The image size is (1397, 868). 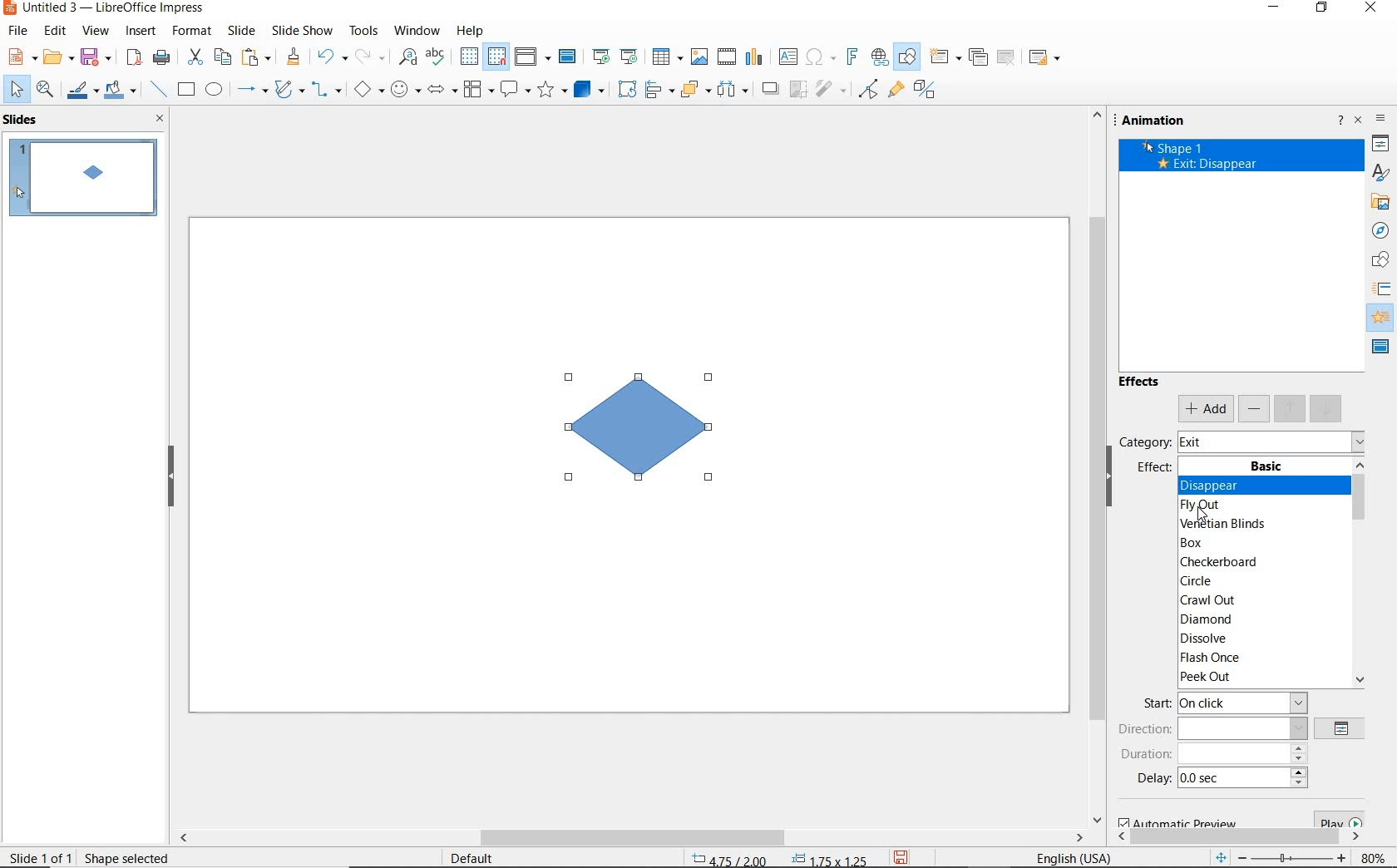 What do you see at coordinates (1222, 782) in the screenshot?
I see `delay` at bounding box center [1222, 782].